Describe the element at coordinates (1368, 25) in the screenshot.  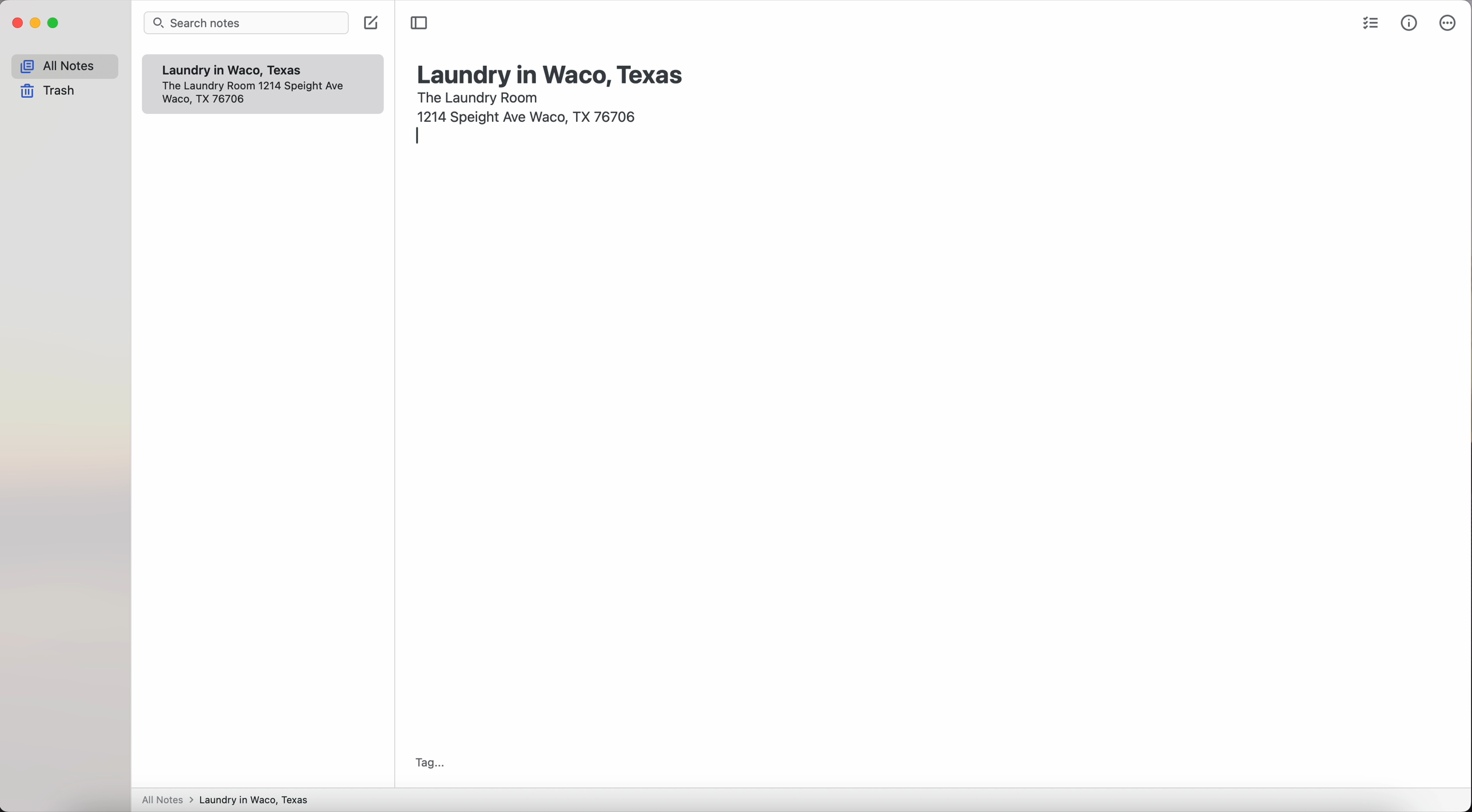
I see `check list` at that location.